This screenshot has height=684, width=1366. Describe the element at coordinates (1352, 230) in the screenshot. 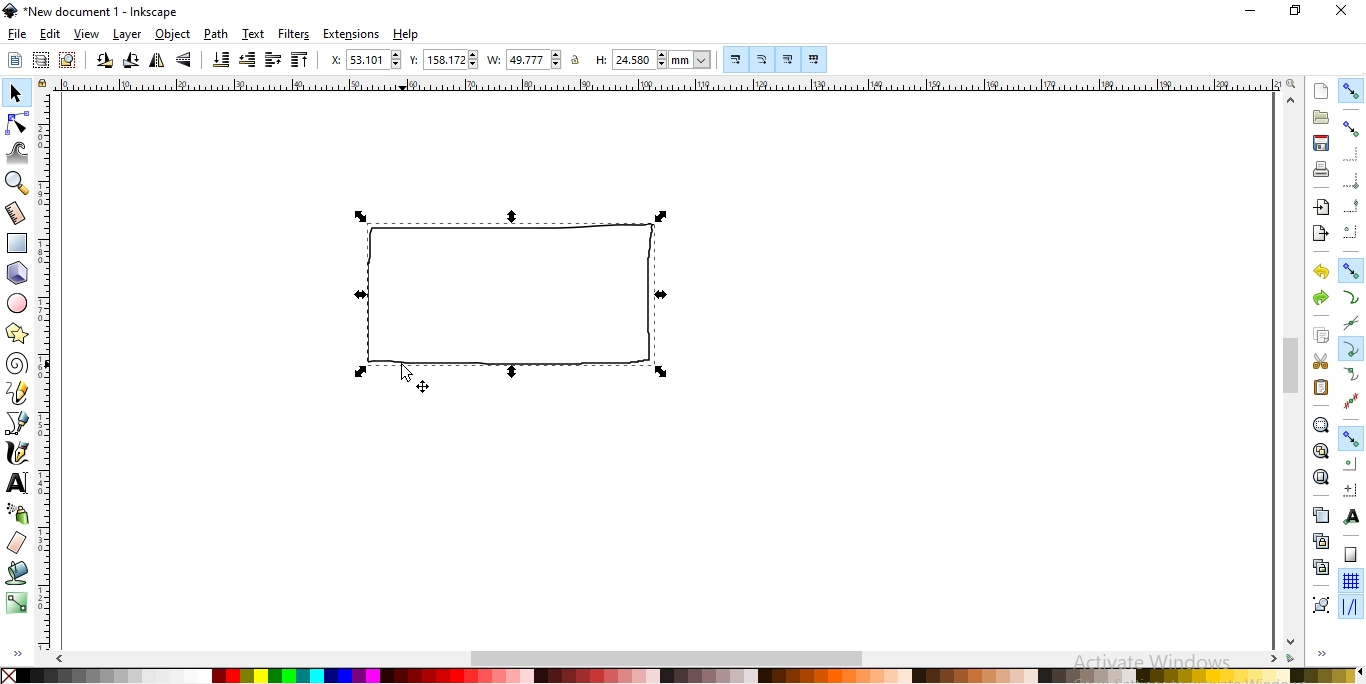

I see `snap centers ofbounding boxes` at that location.